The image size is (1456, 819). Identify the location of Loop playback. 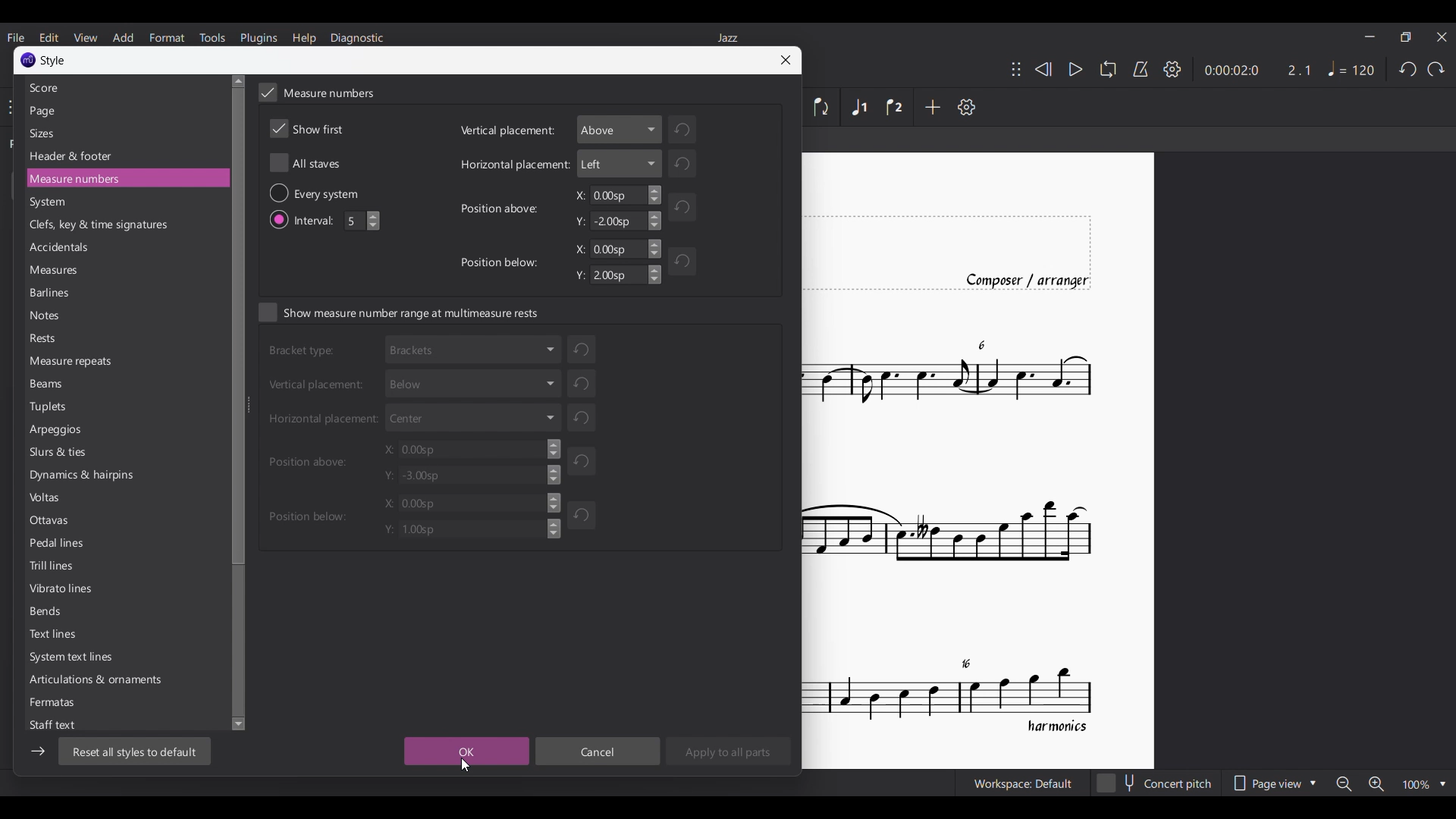
(1107, 68).